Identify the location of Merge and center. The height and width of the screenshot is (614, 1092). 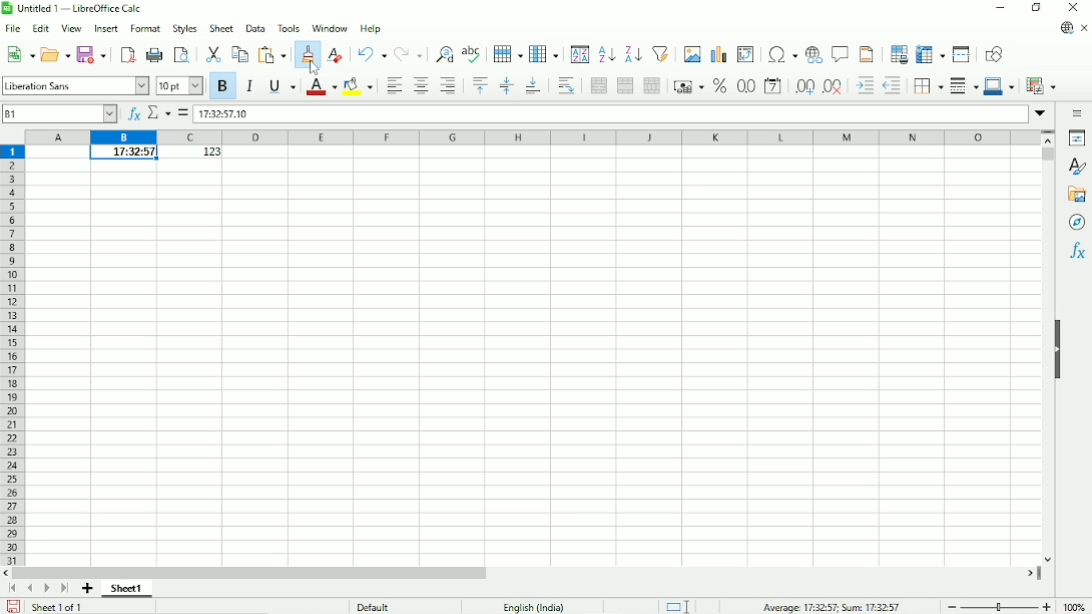
(596, 87).